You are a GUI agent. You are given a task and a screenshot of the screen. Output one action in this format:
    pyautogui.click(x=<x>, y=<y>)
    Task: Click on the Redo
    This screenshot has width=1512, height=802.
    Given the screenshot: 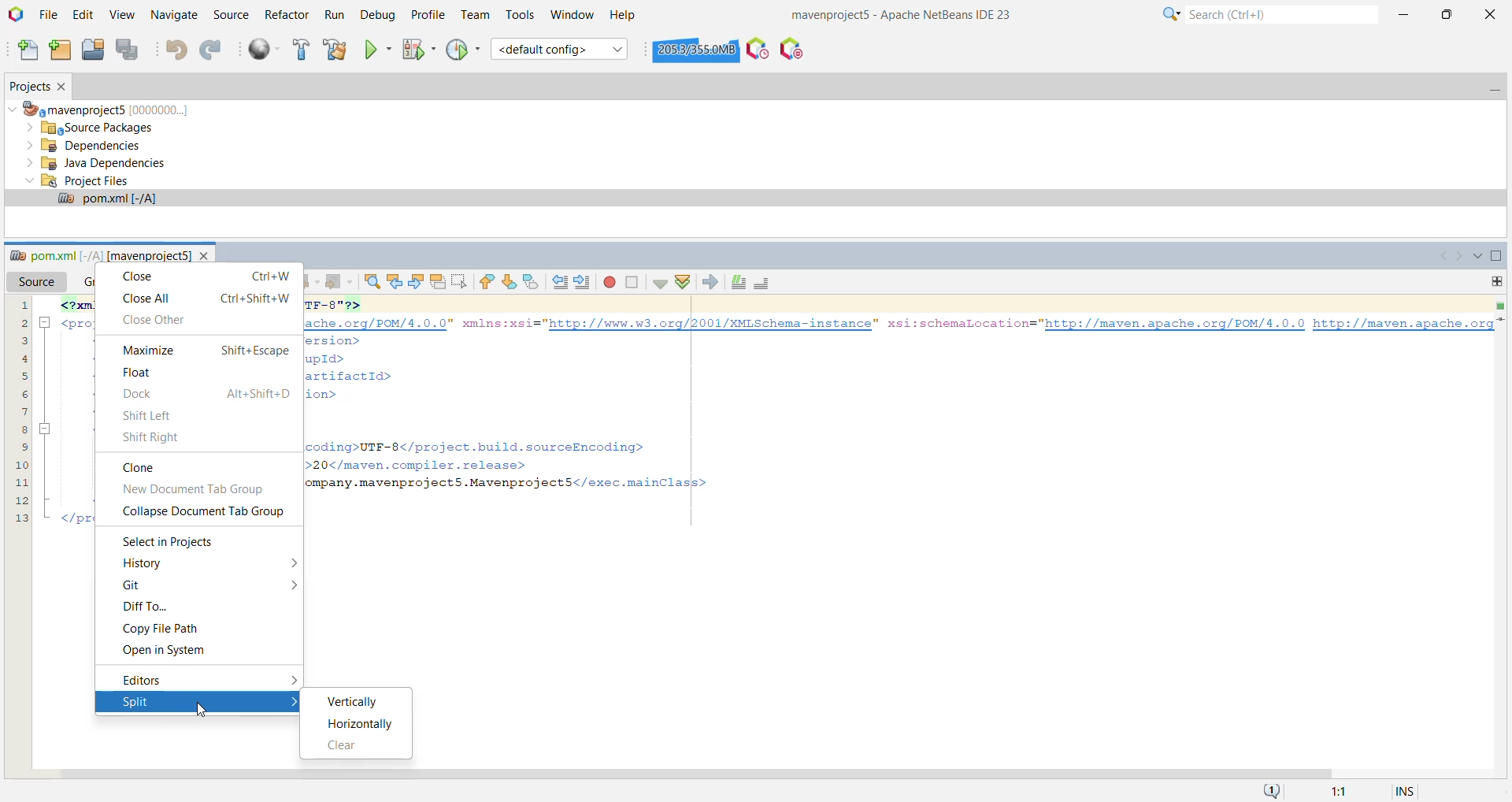 What is the action you would take?
    pyautogui.click(x=213, y=50)
    